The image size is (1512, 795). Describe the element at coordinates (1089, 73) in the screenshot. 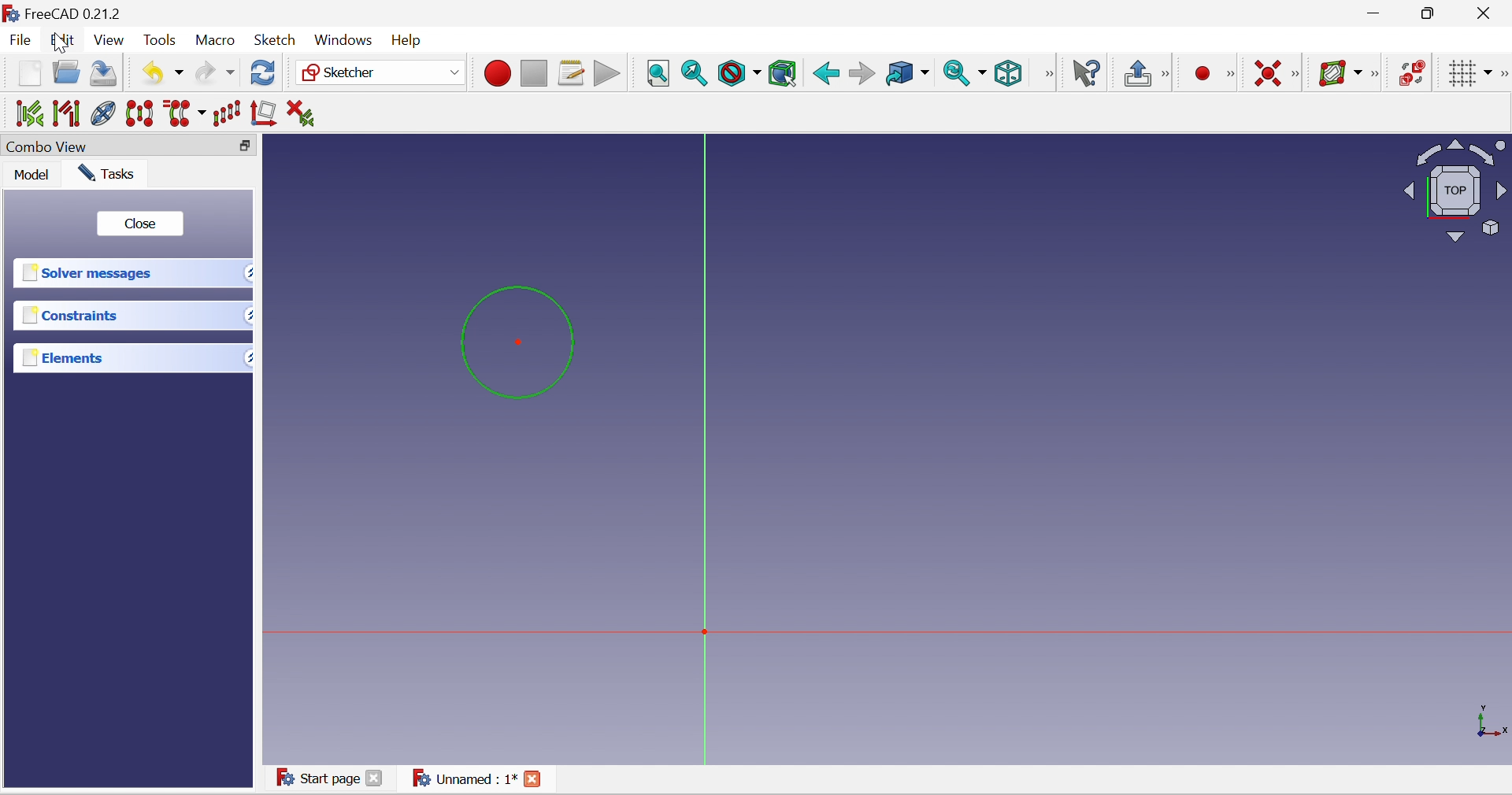

I see `What's this?` at that location.